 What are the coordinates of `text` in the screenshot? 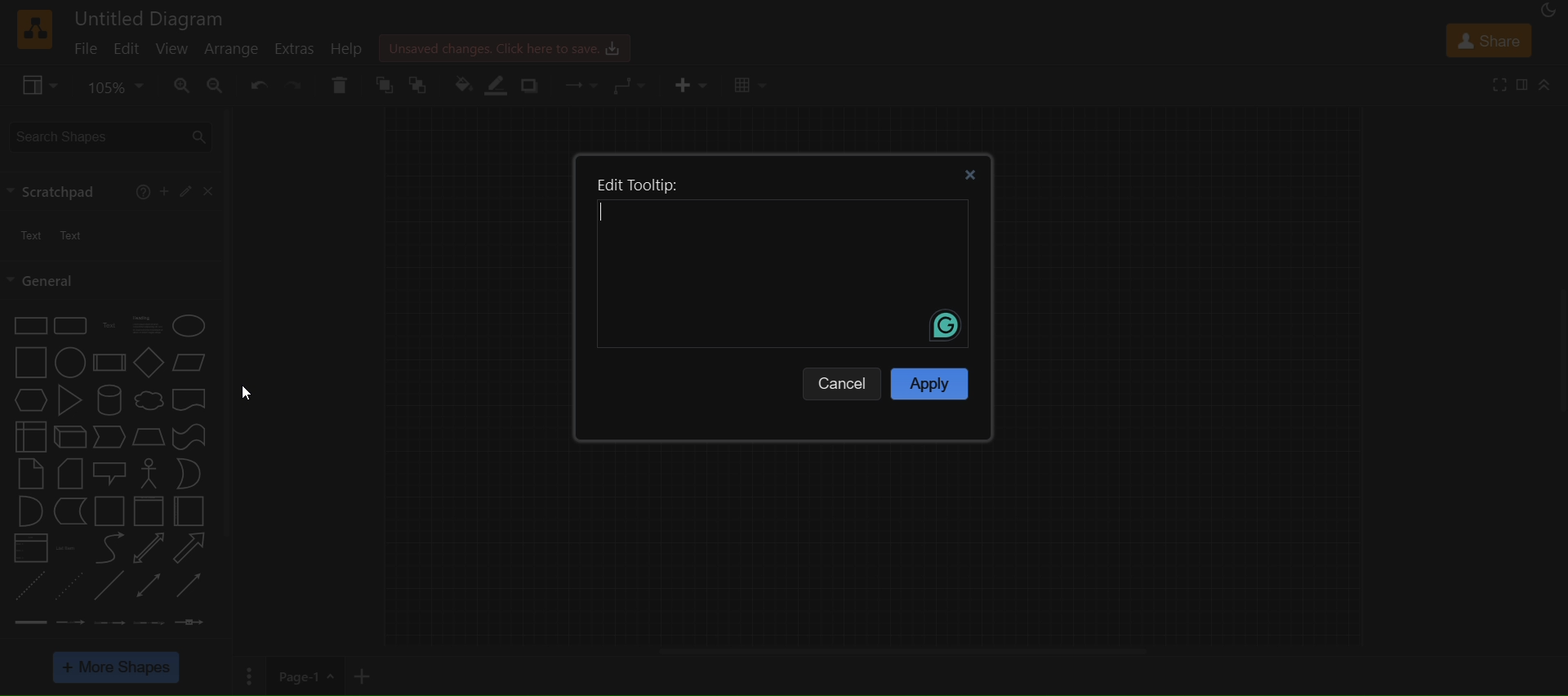 It's located at (47, 233).